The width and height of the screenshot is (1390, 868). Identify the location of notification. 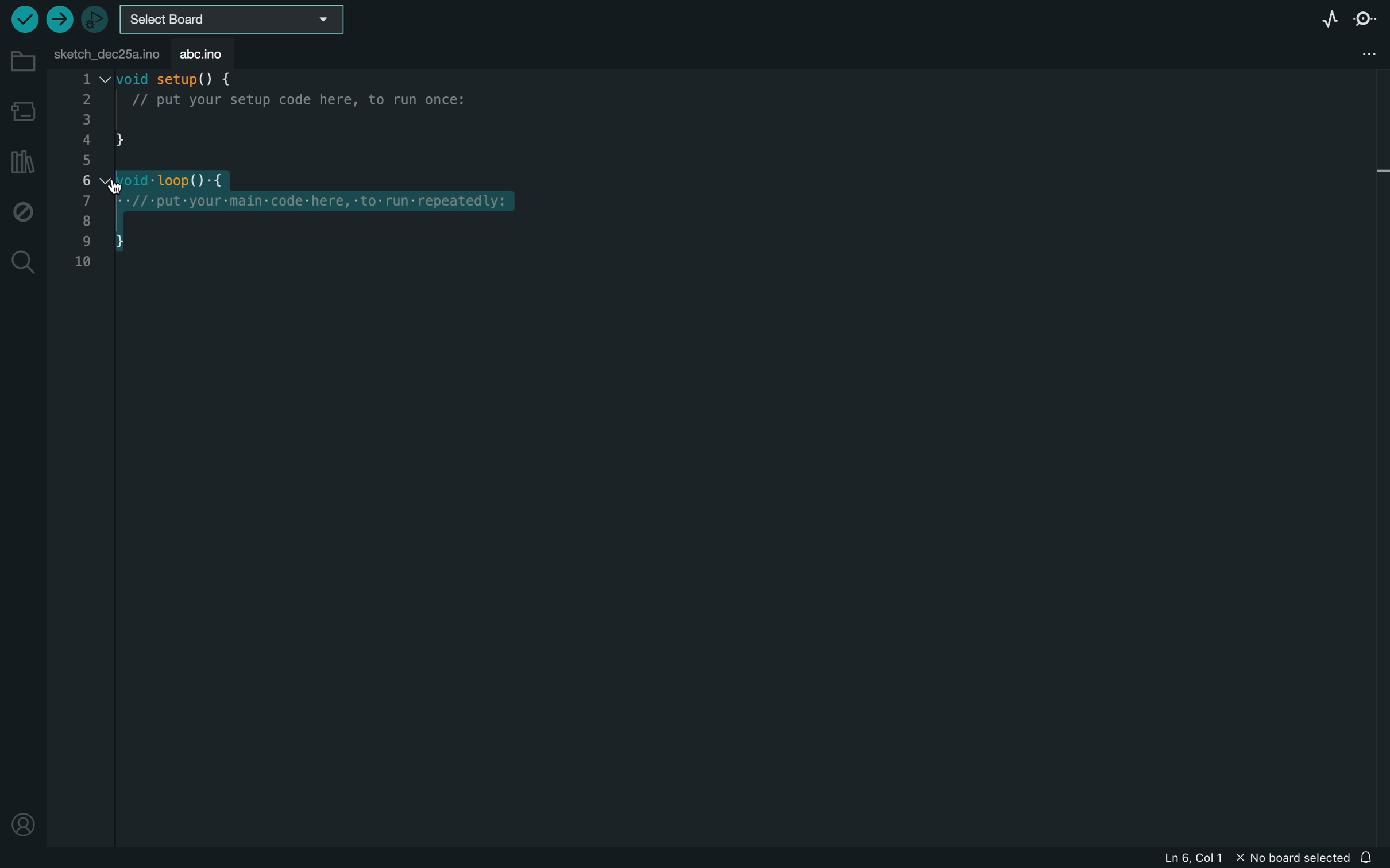
(1369, 856).